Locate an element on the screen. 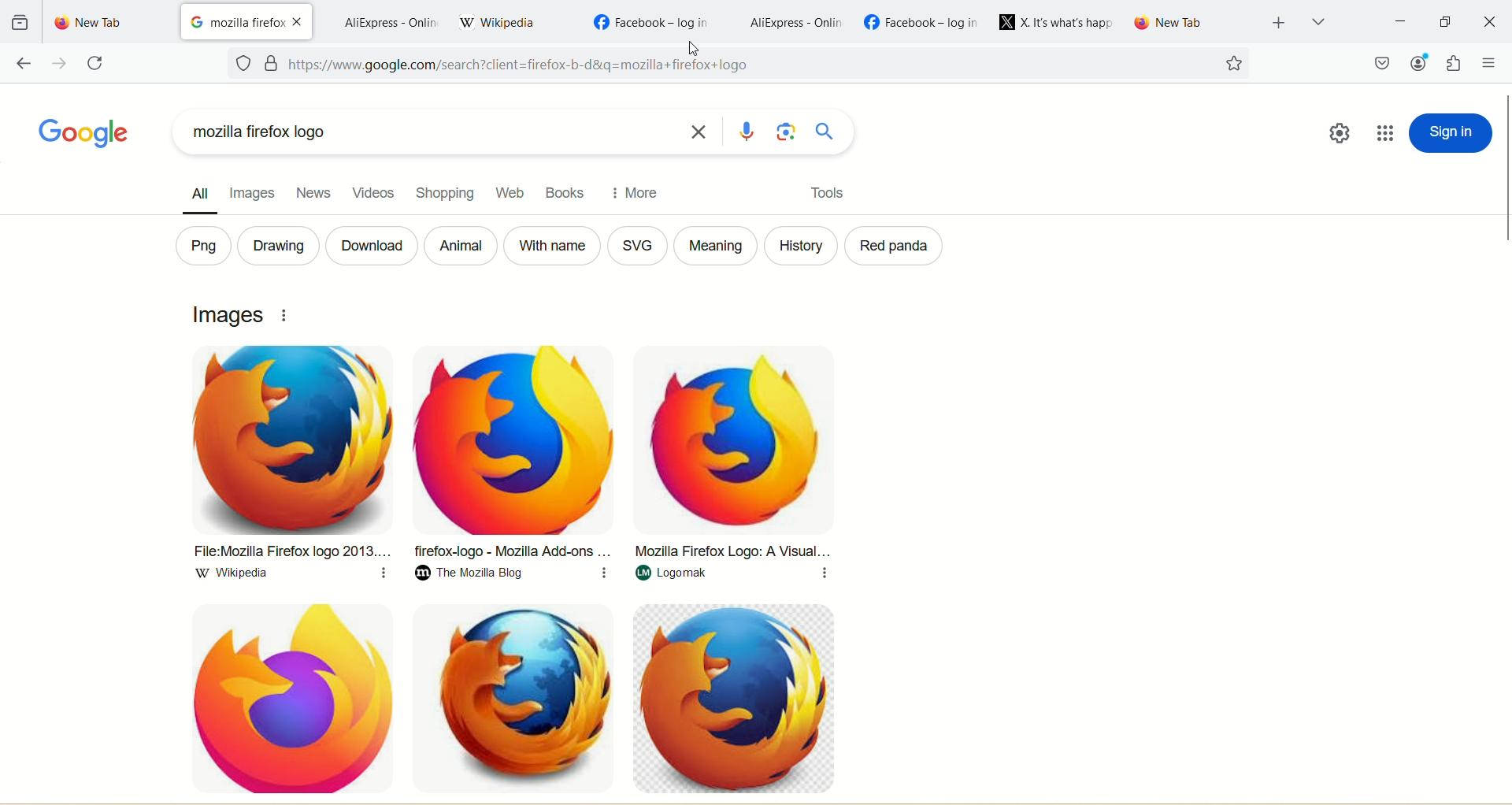 The height and width of the screenshot is (805, 1512). facebook is located at coordinates (924, 20).